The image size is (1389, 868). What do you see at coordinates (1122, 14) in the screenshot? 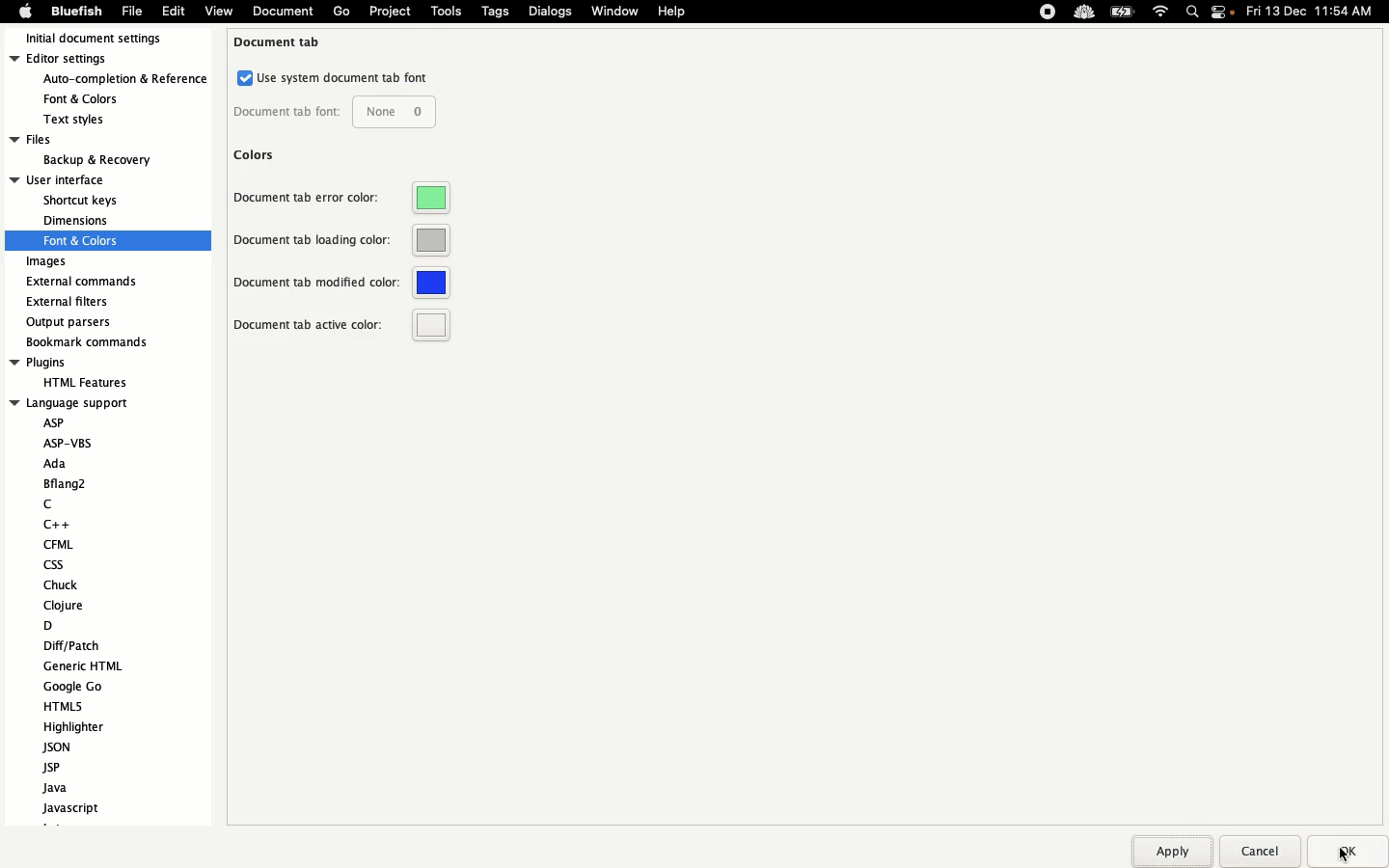
I see `Charge` at bounding box center [1122, 14].